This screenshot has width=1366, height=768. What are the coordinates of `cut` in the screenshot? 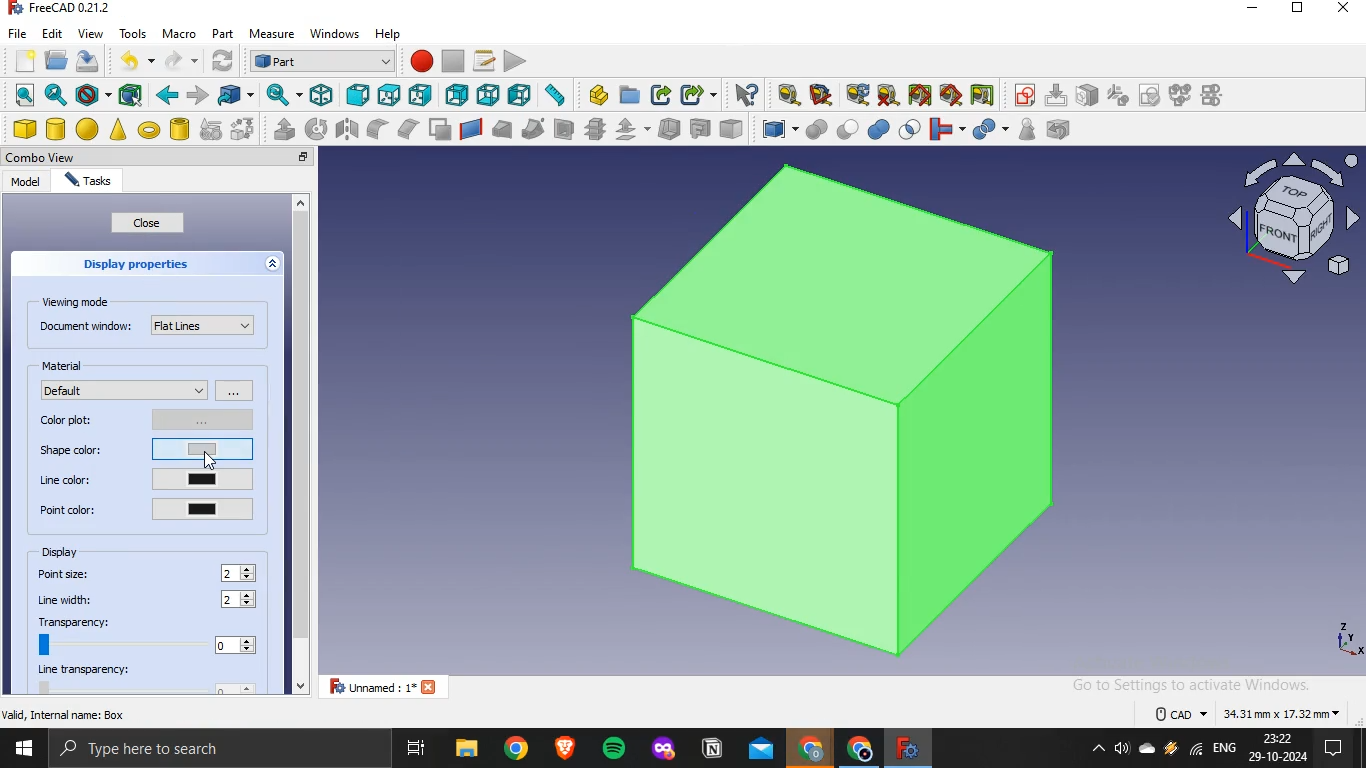 It's located at (848, 127).